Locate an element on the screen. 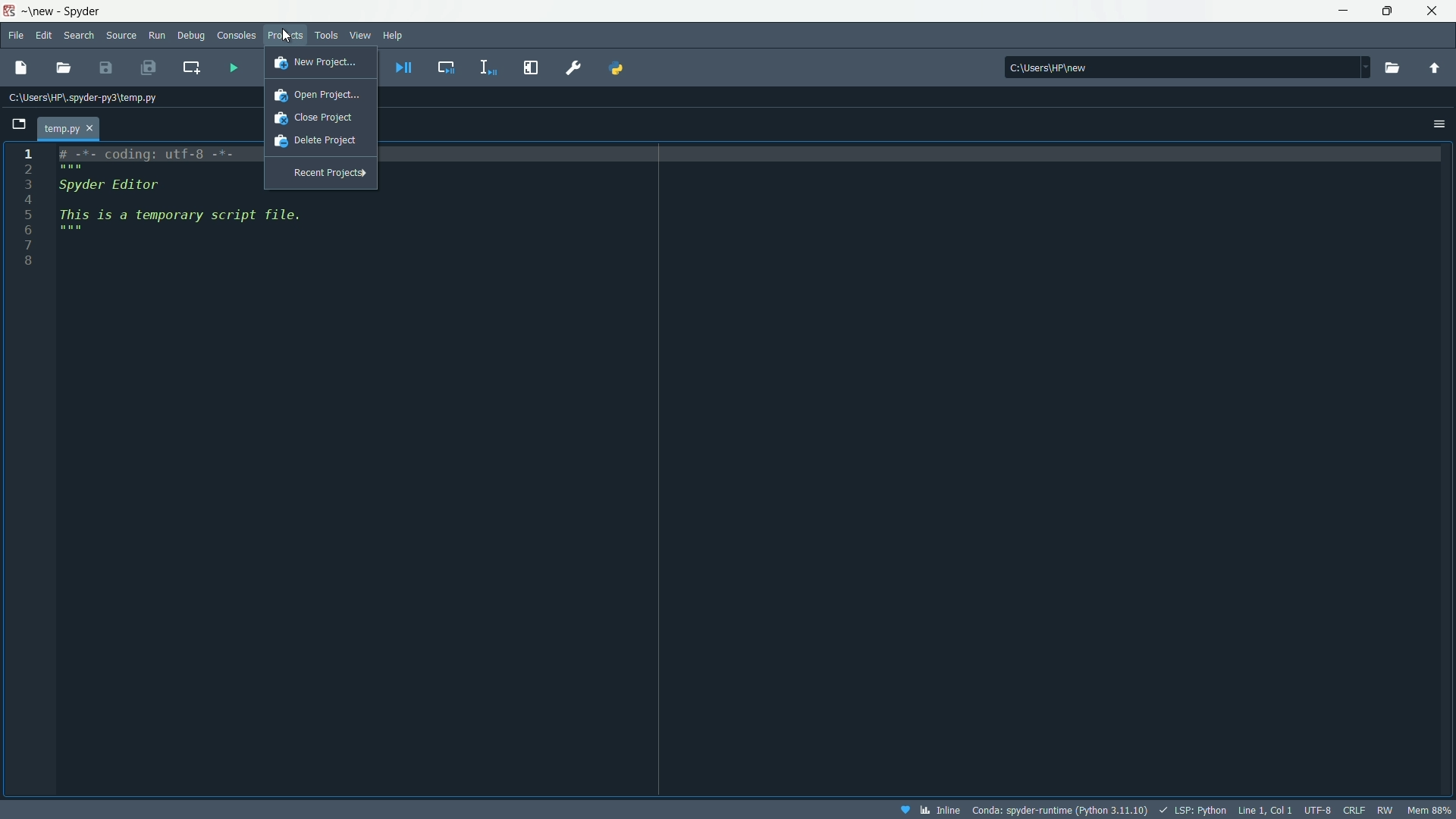 The height and width of the screenshot is (819, 1456). Delete project is located at coordinates (314, 141).